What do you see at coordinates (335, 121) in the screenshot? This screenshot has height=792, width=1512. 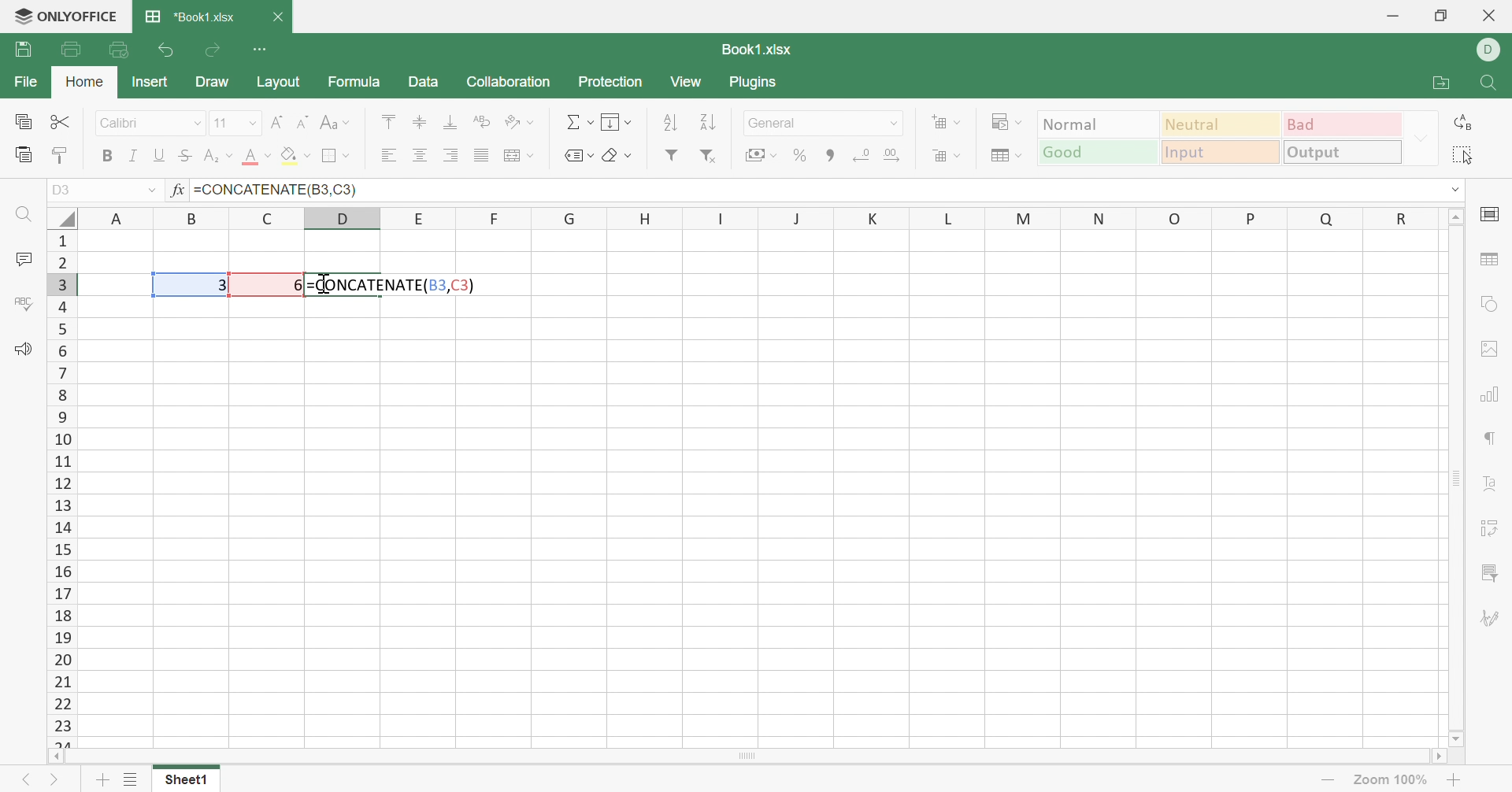 I see `Change case` at bounding box center [335, 121].